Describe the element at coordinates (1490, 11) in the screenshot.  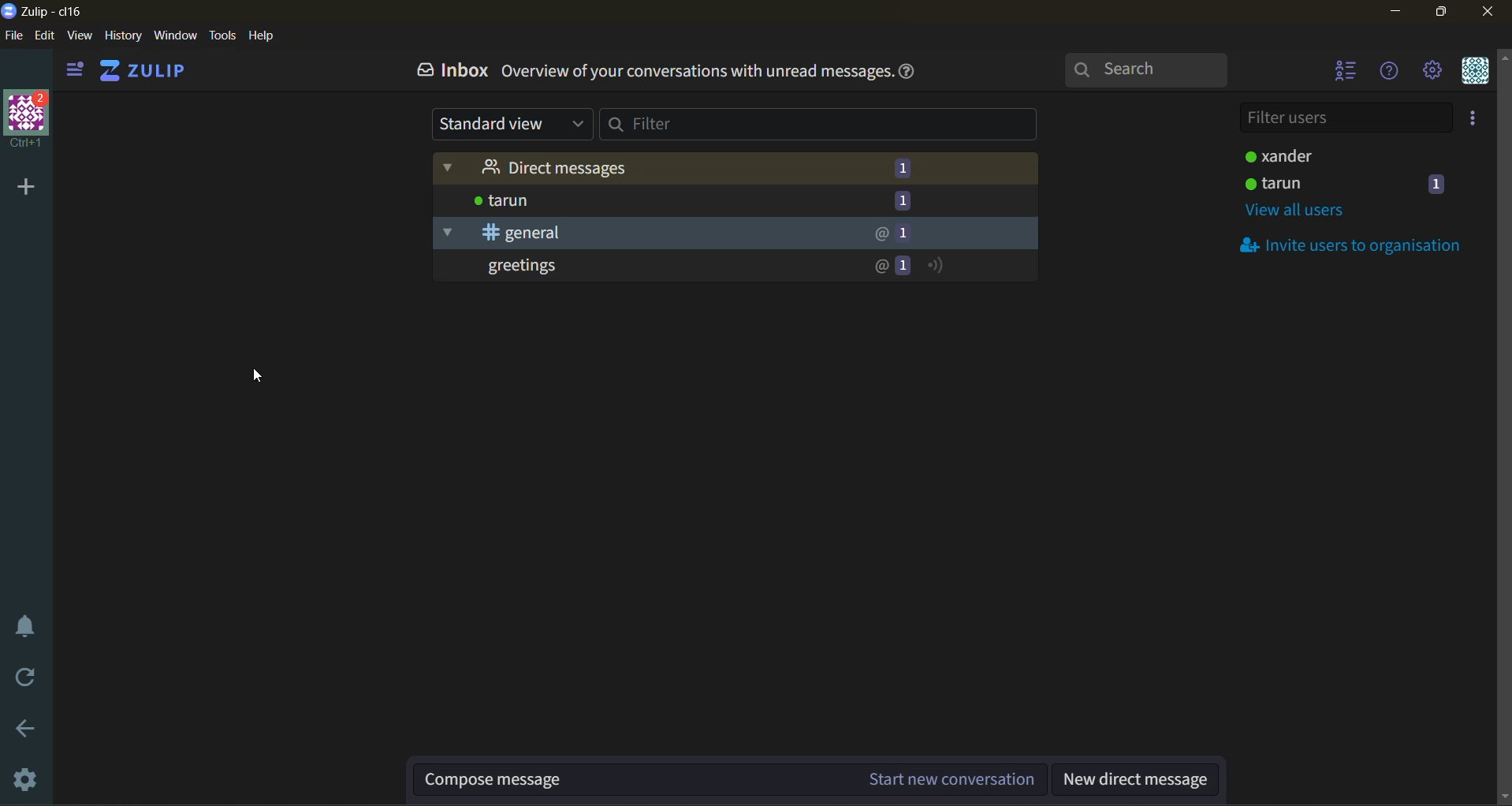
I see `close` at that location.